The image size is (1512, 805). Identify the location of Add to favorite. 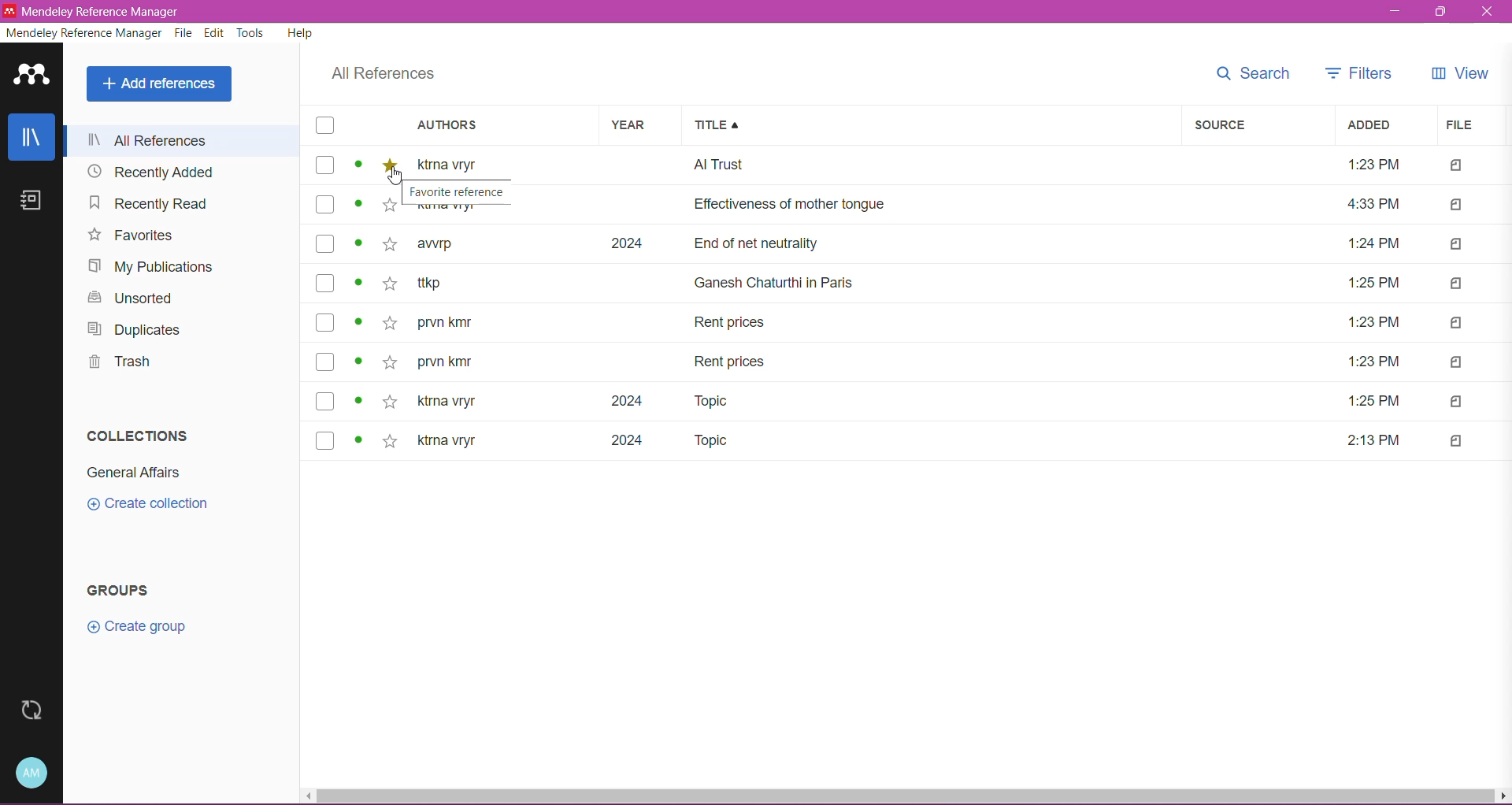
(390, 362).